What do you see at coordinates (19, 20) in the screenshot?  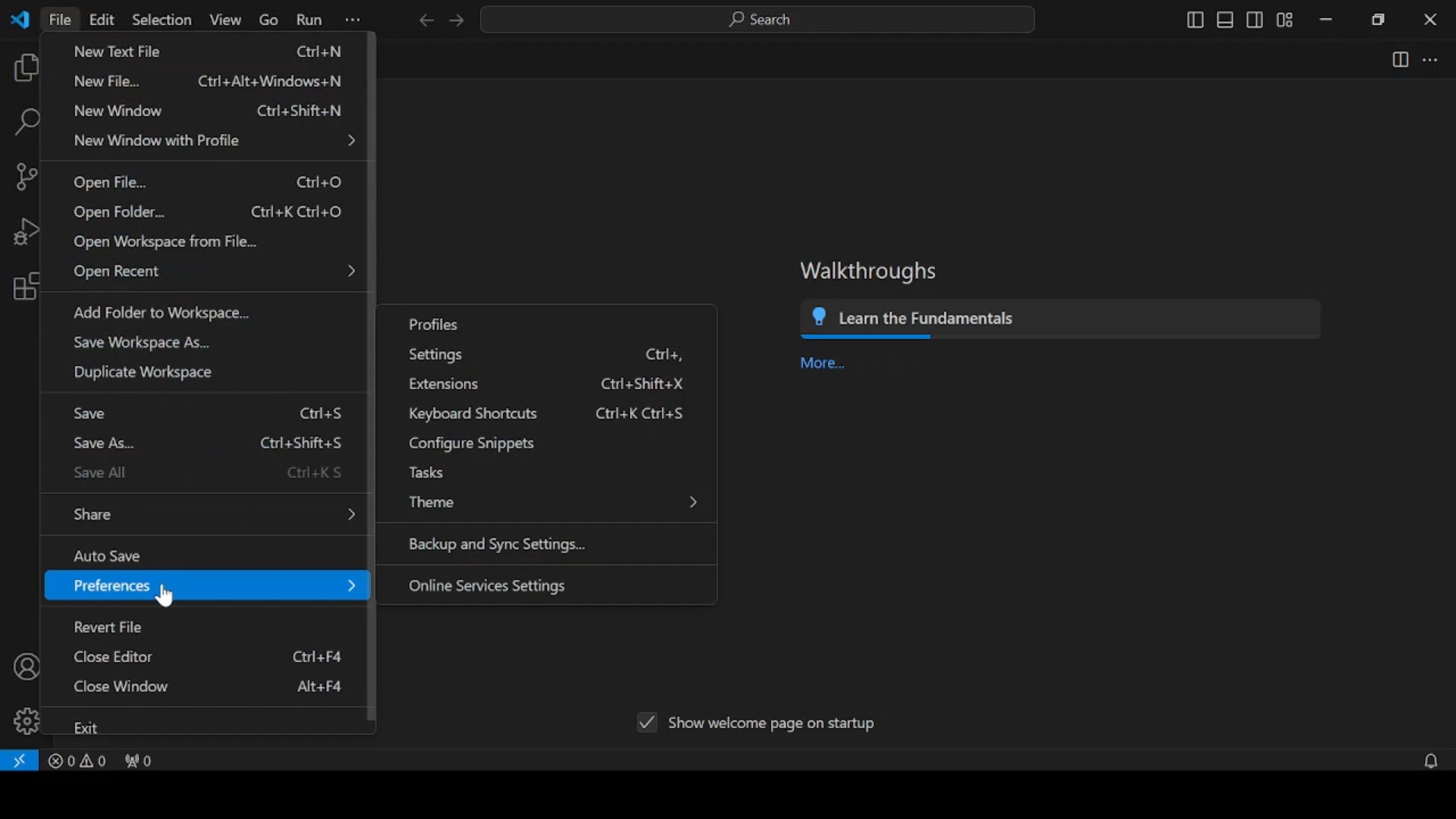 I see `vscode logo` at bounding box center [19, 20].